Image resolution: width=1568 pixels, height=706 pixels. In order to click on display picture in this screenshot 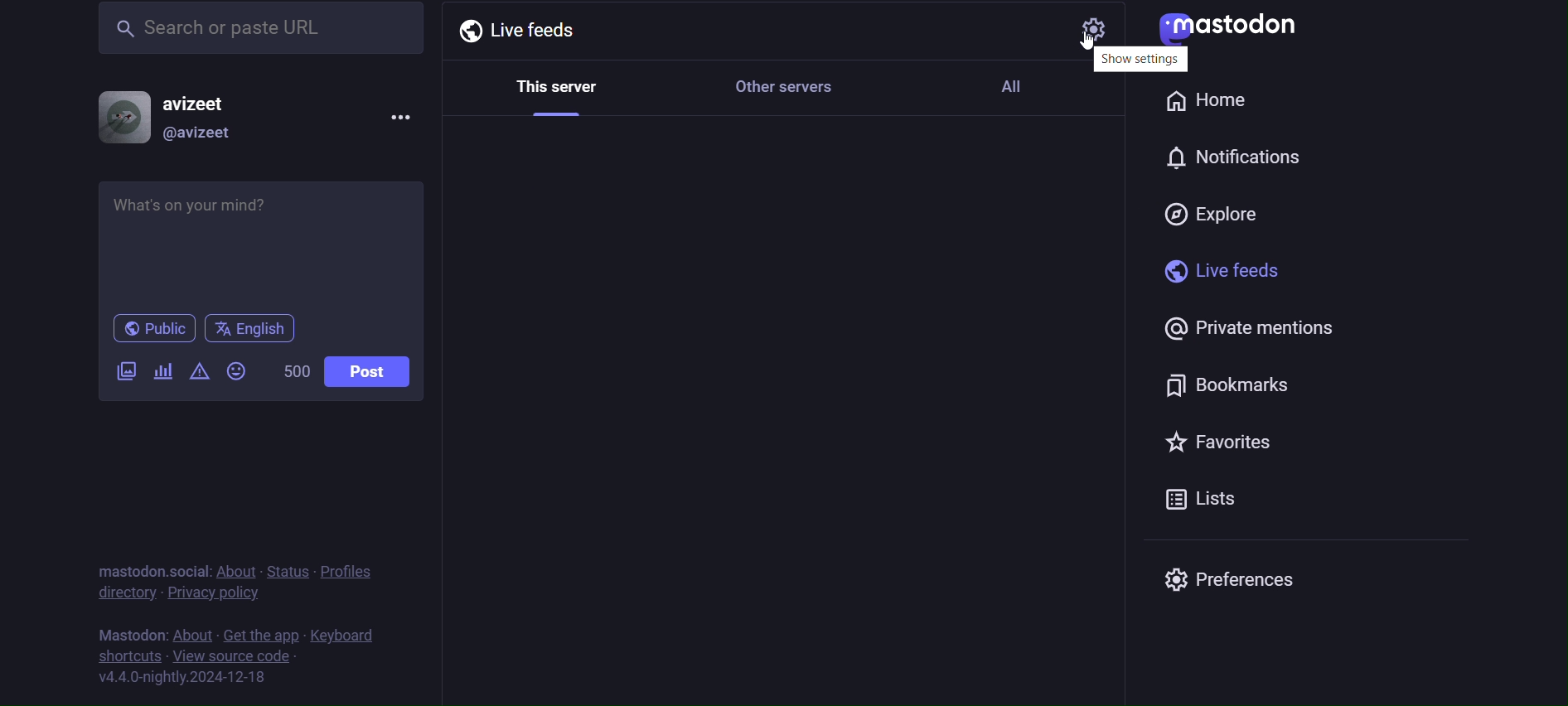, I will do `click(116, 115)`.